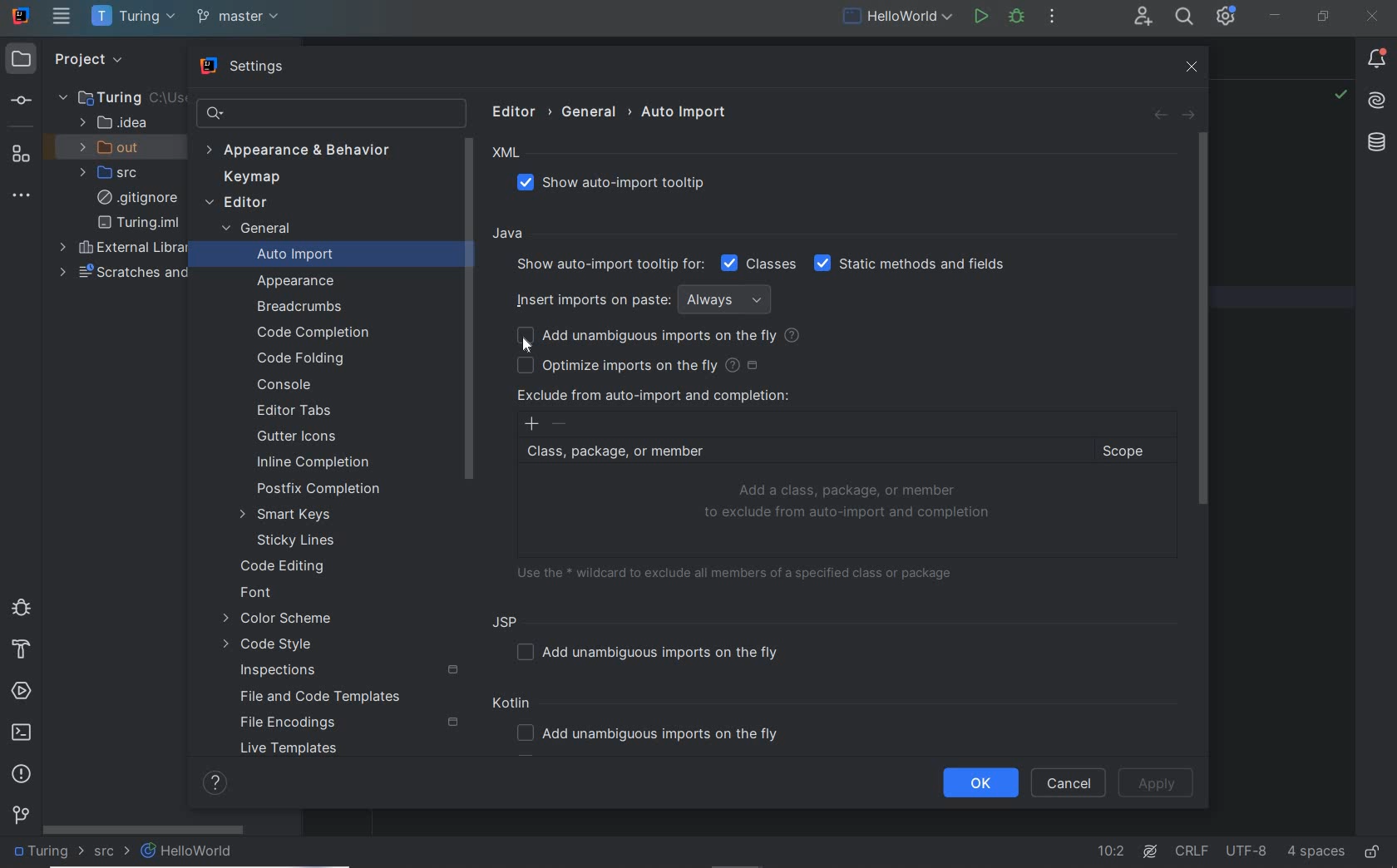  Describe the element at coordinates (621, 184) in the screenshot. I see `SHOW AUTO-IMPORT TOOLTIP` at that location.